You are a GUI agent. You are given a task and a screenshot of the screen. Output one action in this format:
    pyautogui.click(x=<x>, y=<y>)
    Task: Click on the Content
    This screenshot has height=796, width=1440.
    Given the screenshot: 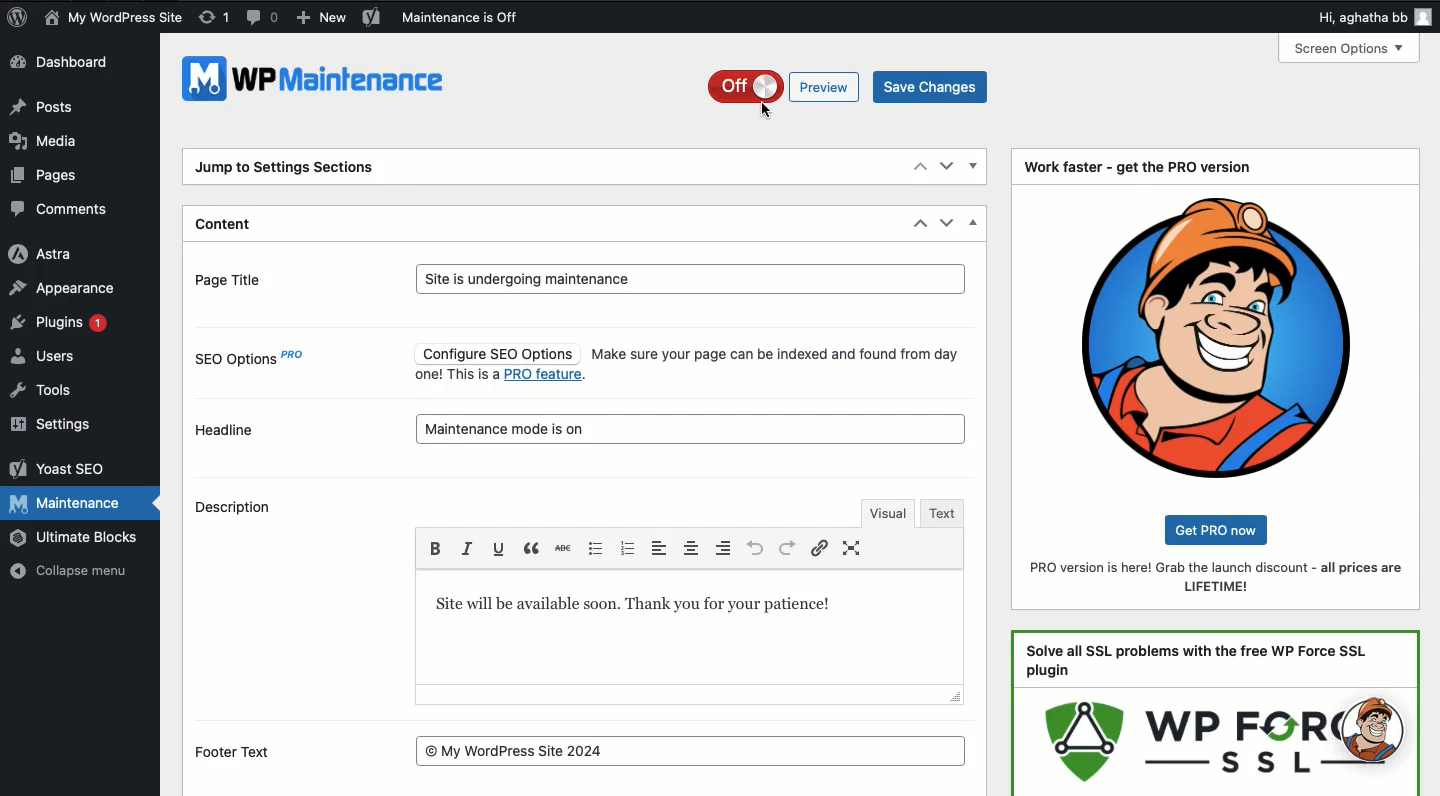 What is the action you would take?
    pyautogui.click(x=228, y=226)
    